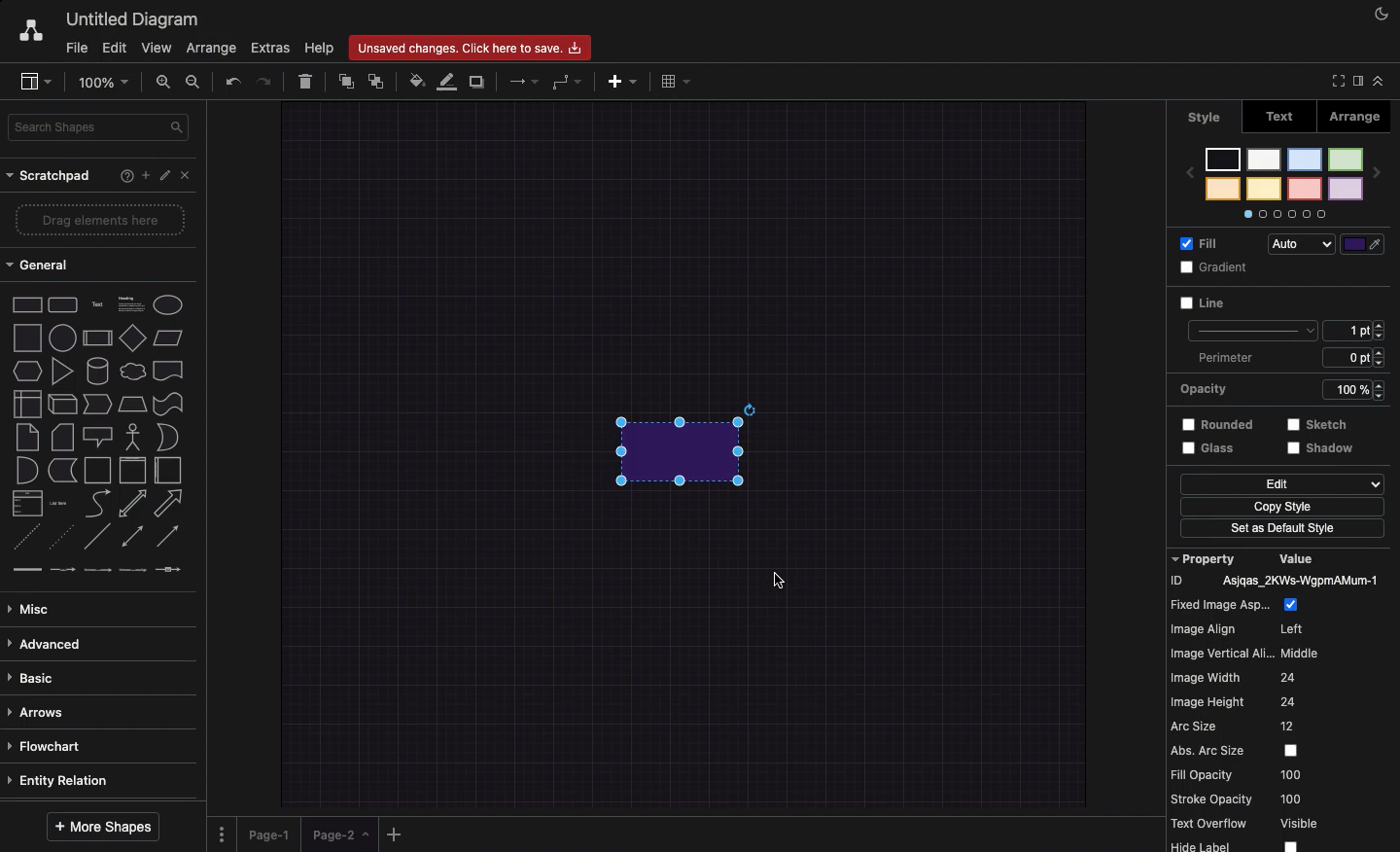  What do you see at coordinates (1287, 388) in the screenshot?
I see `Opacity ` at bounding box center [1287, 388].